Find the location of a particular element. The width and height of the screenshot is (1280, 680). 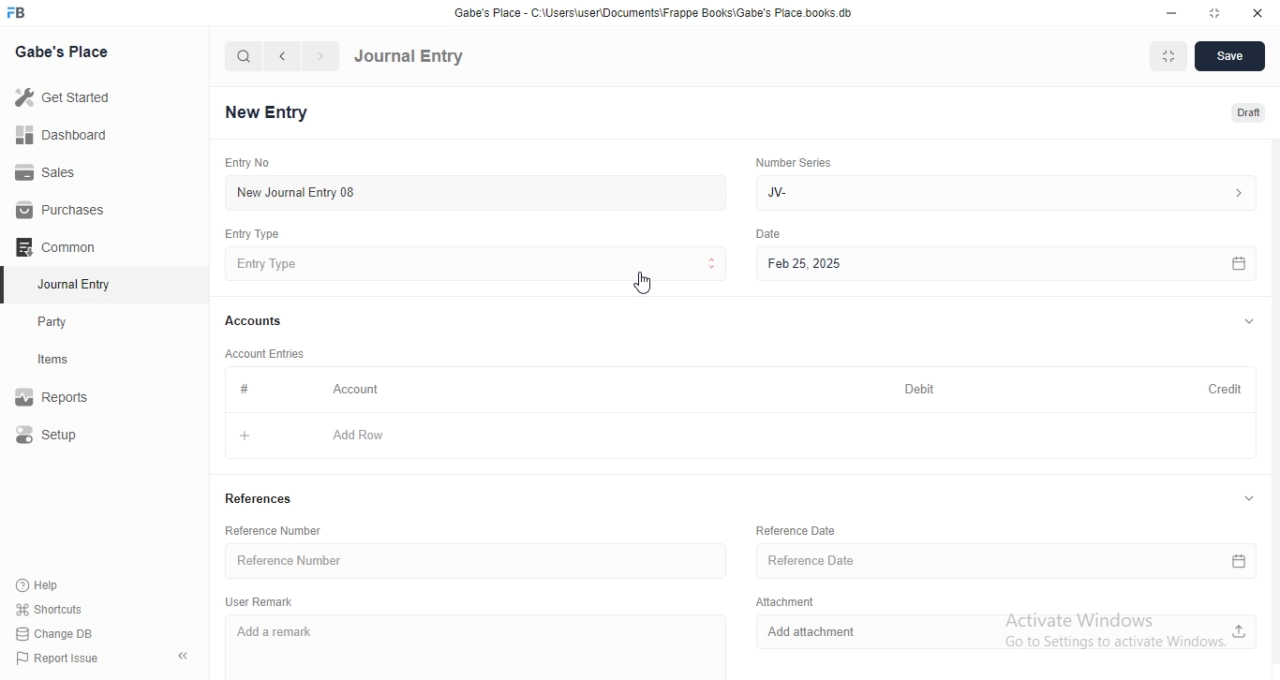

Purchases is located at coordinates (58, 210).